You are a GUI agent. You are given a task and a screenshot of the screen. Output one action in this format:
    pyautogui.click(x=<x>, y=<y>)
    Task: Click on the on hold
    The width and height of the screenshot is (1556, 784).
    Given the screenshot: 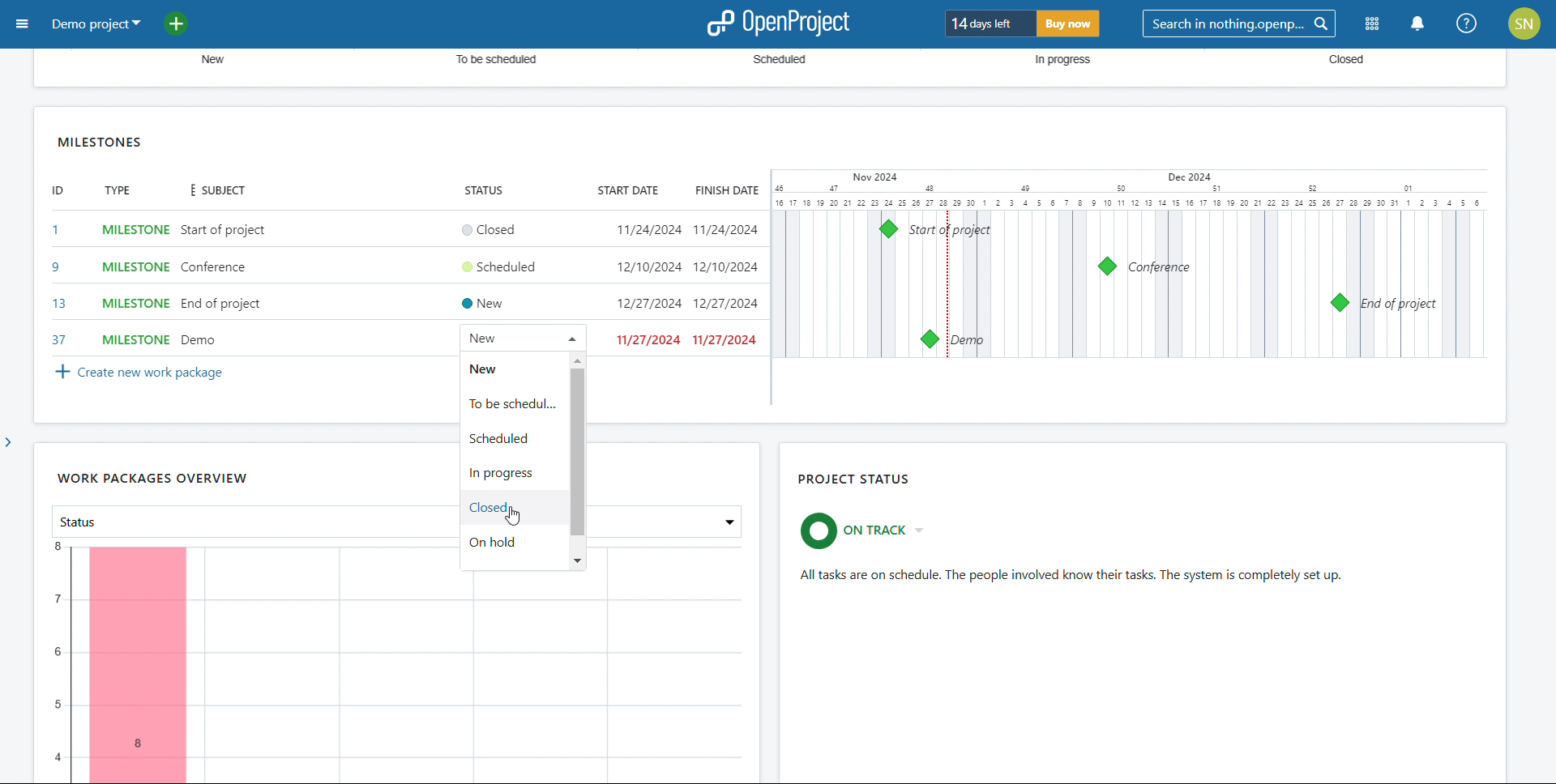 What is the action you would take?
    pyautogui.click(x=513, y=545)
    